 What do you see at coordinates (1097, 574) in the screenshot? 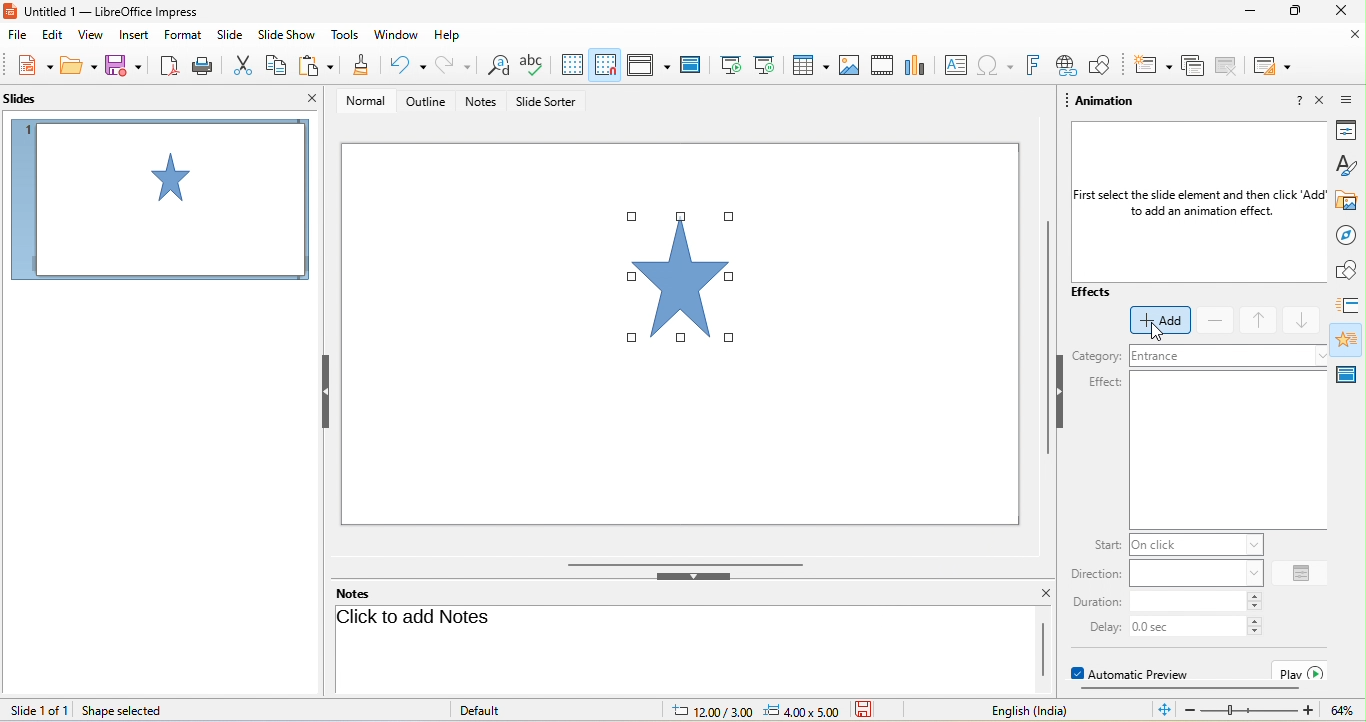
I see `direction` at bounding box center [1097, 574].